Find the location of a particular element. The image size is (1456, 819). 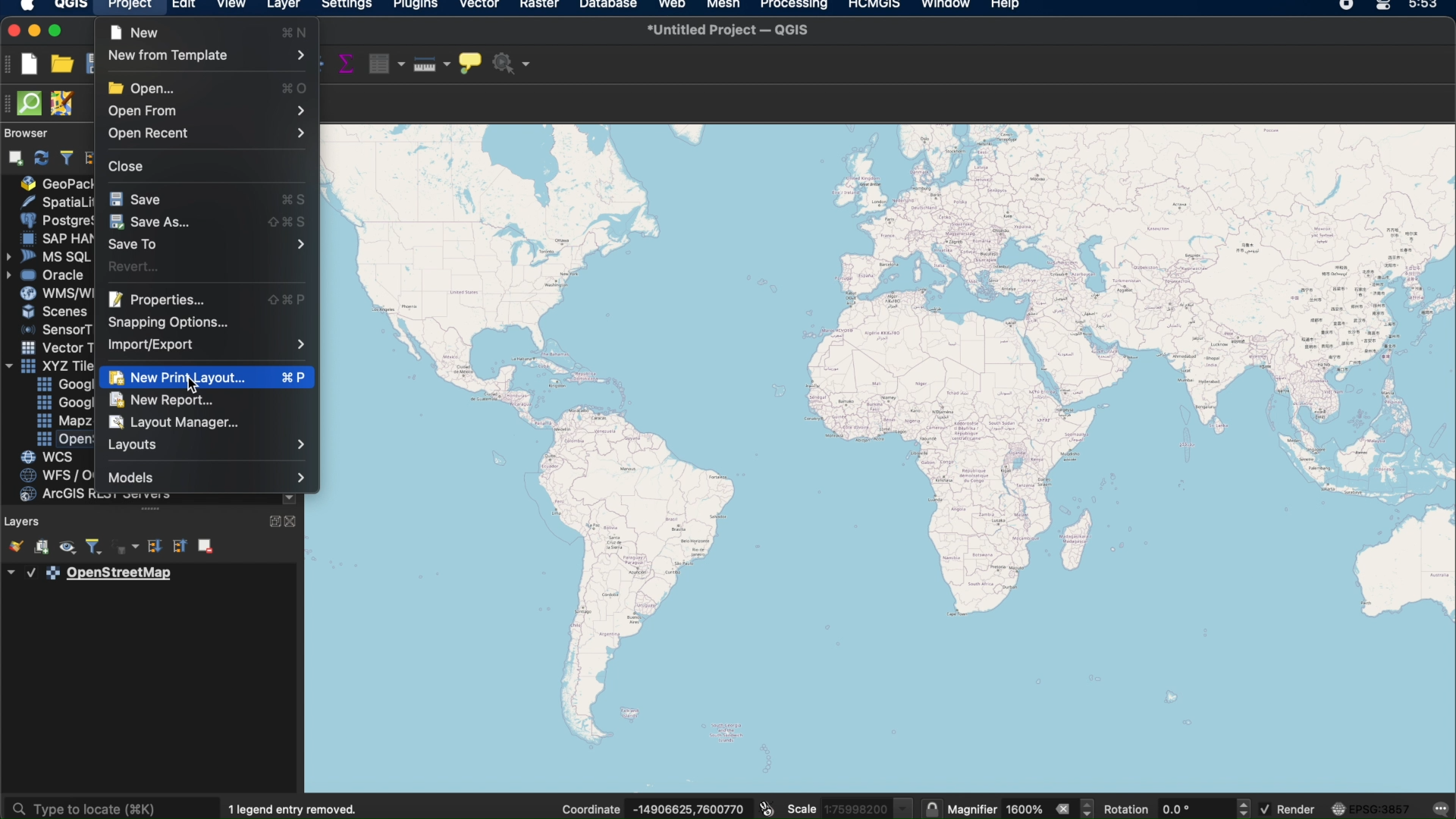

plugins is located at coordinates (416, 6).